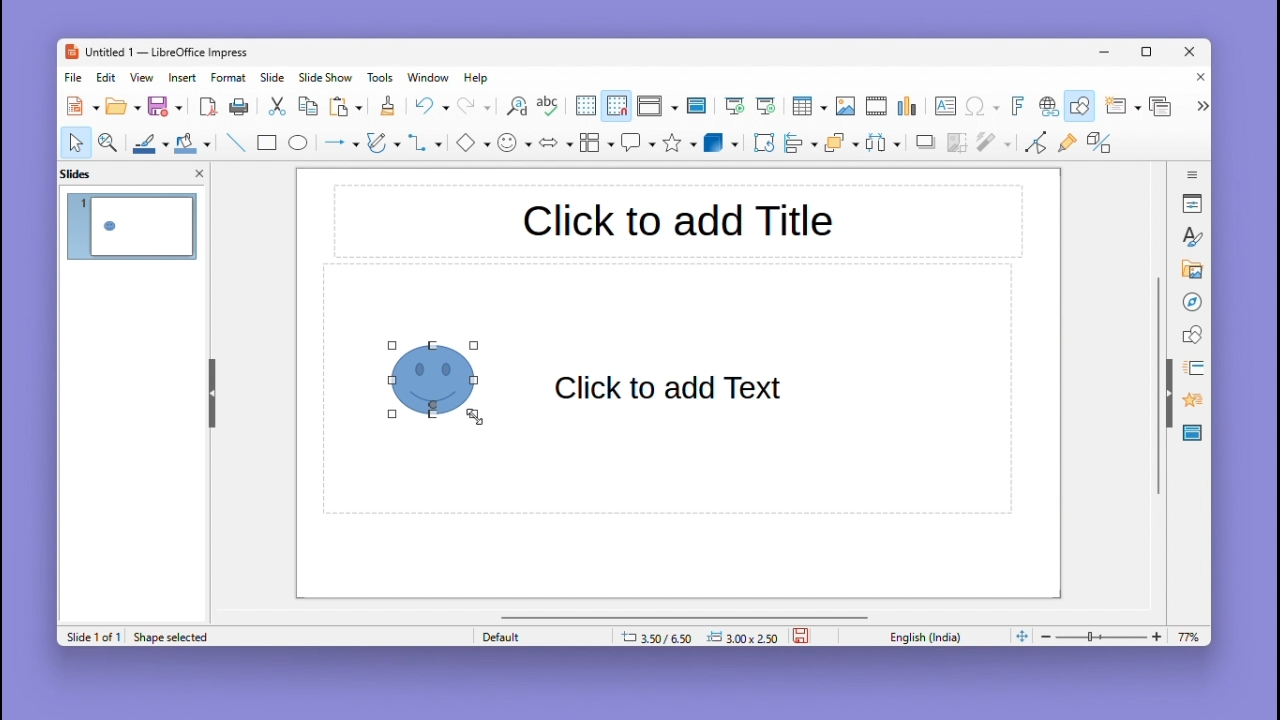 The width and height of the screenshot is (1280, 720). I want to click on Blocks, so click(597, 142).